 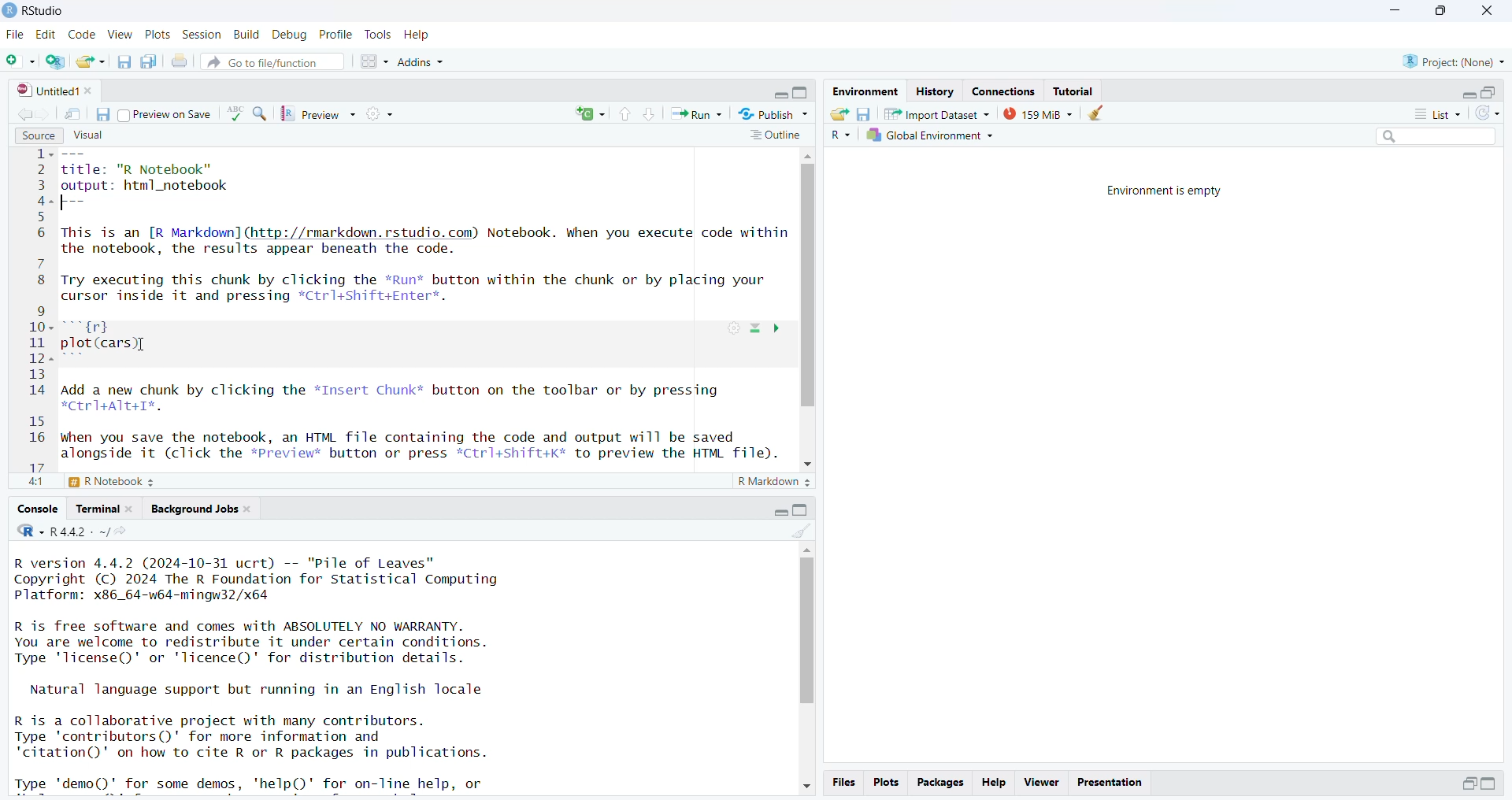 What do you see at coordinates (995, 781) in the screenshot?
I see `help` at bounding box center [995, 781].